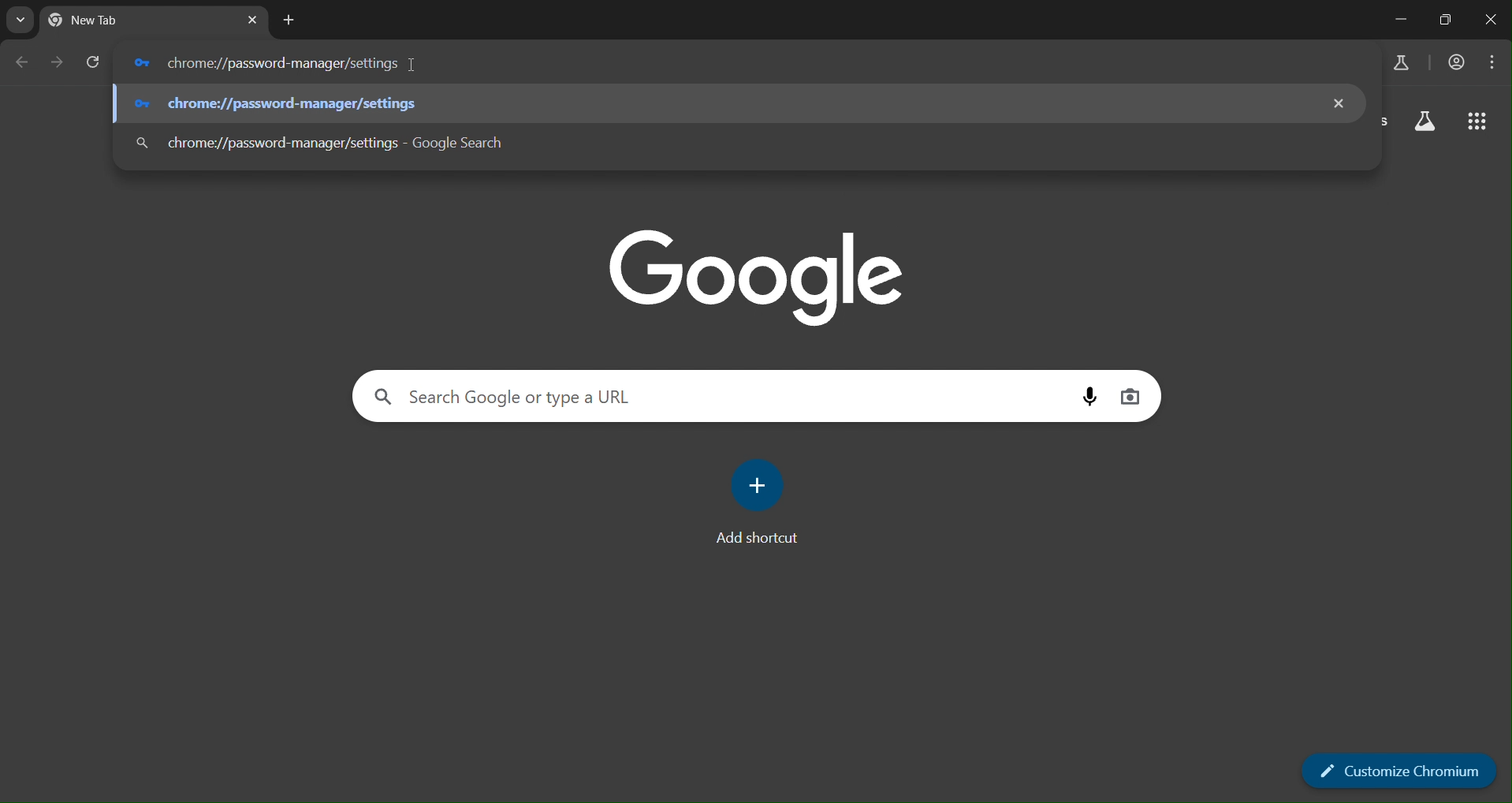  Describe the element at coordinates (22, 62) in the screenshot. I see `go back one page` at that location.